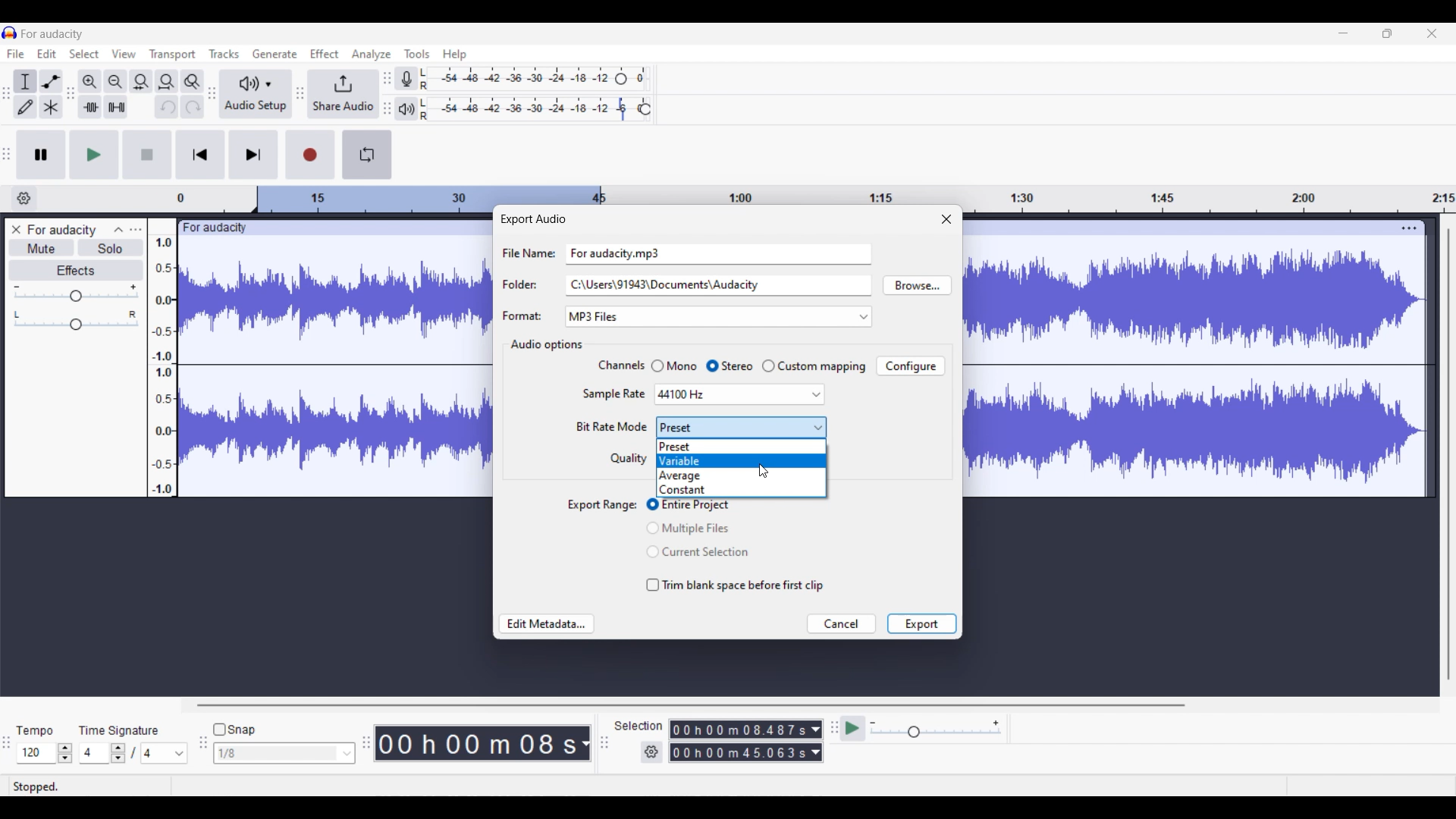 The width and height of the screenshot is (1456, 819). I want to click on Scale to measure length of track, so click(815, 193).